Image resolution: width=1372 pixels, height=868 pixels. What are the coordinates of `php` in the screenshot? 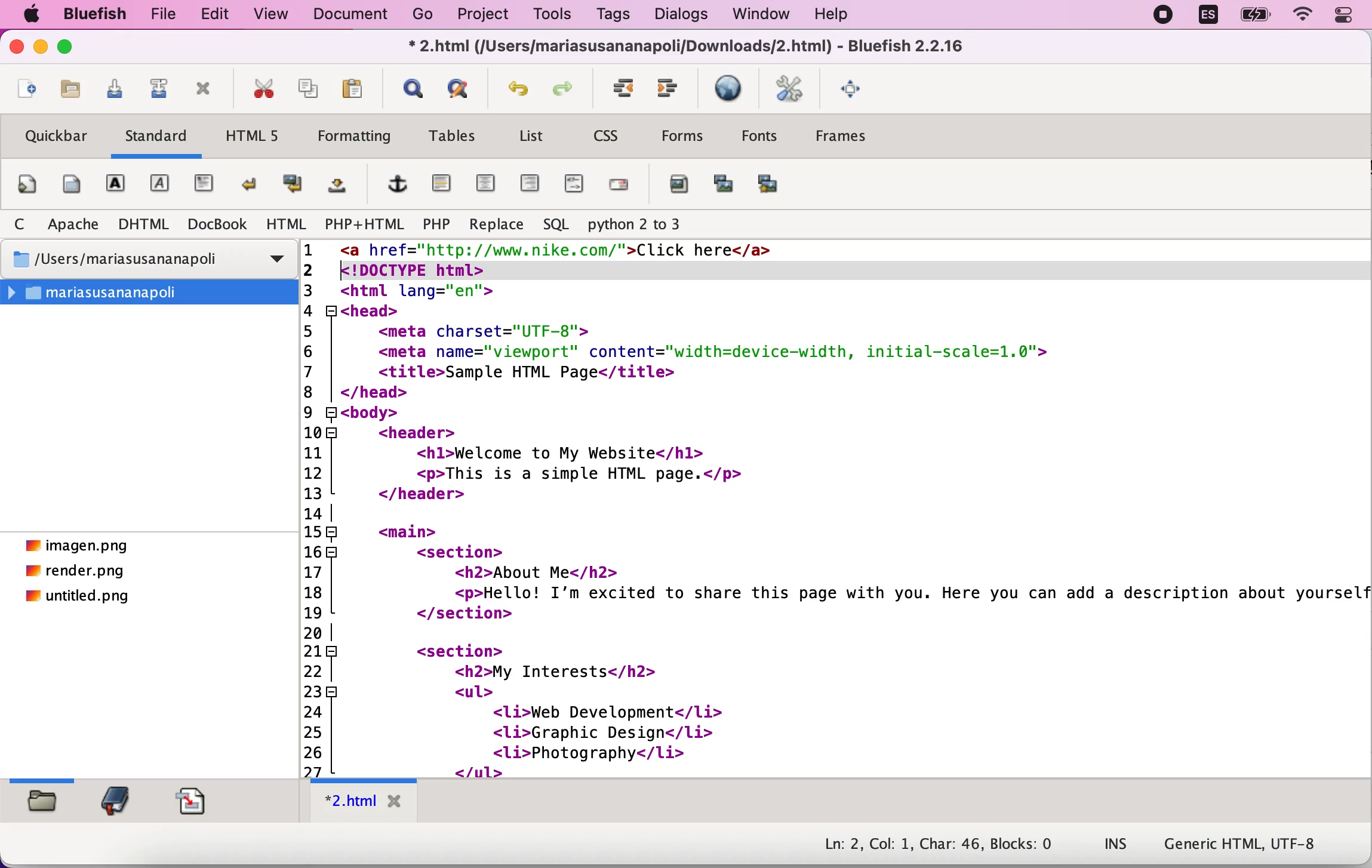 It's located at (435, 223).